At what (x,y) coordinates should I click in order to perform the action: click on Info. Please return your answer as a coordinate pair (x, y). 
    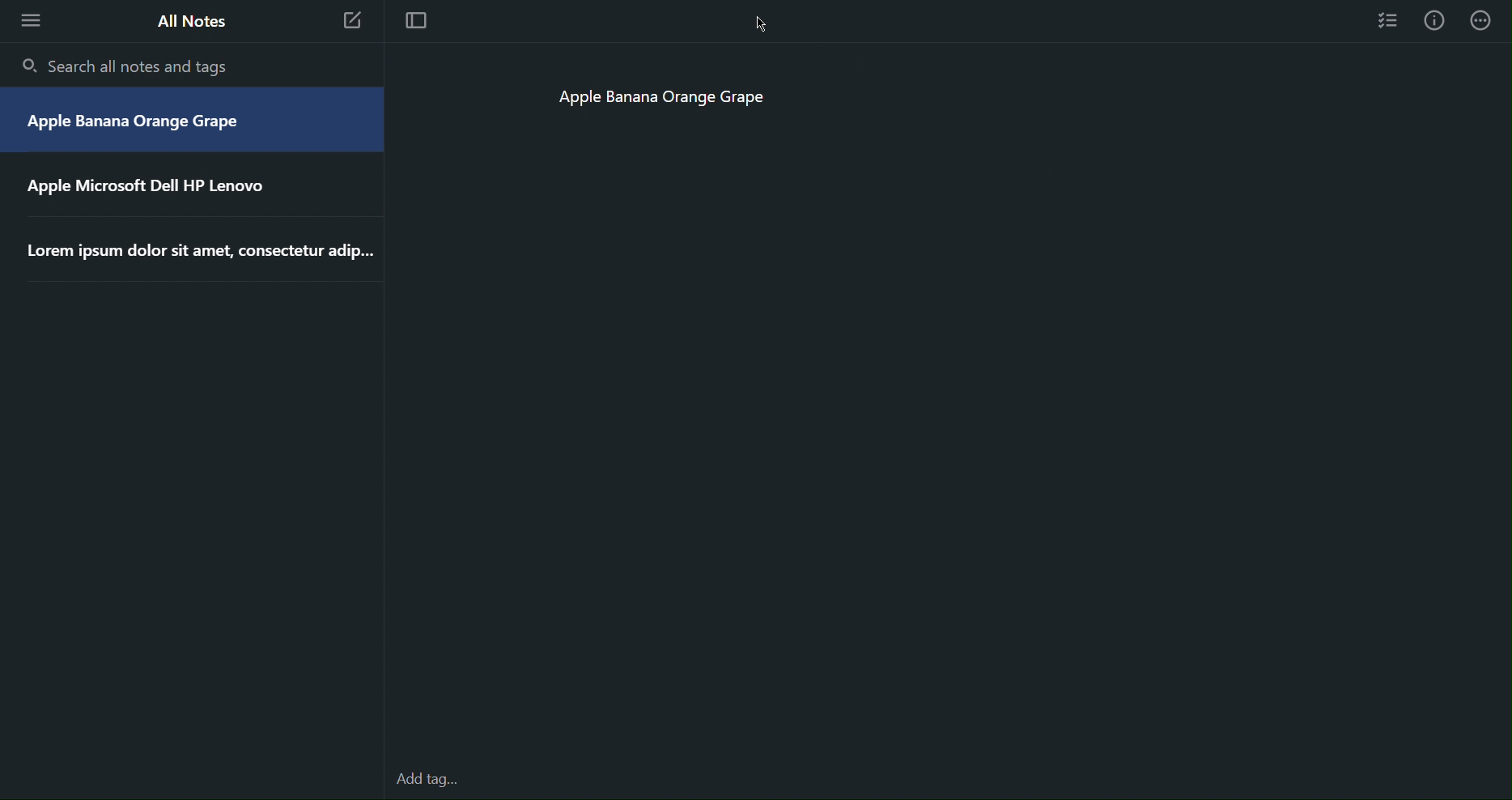
    Looking at the image, I should click on (1434, 20).